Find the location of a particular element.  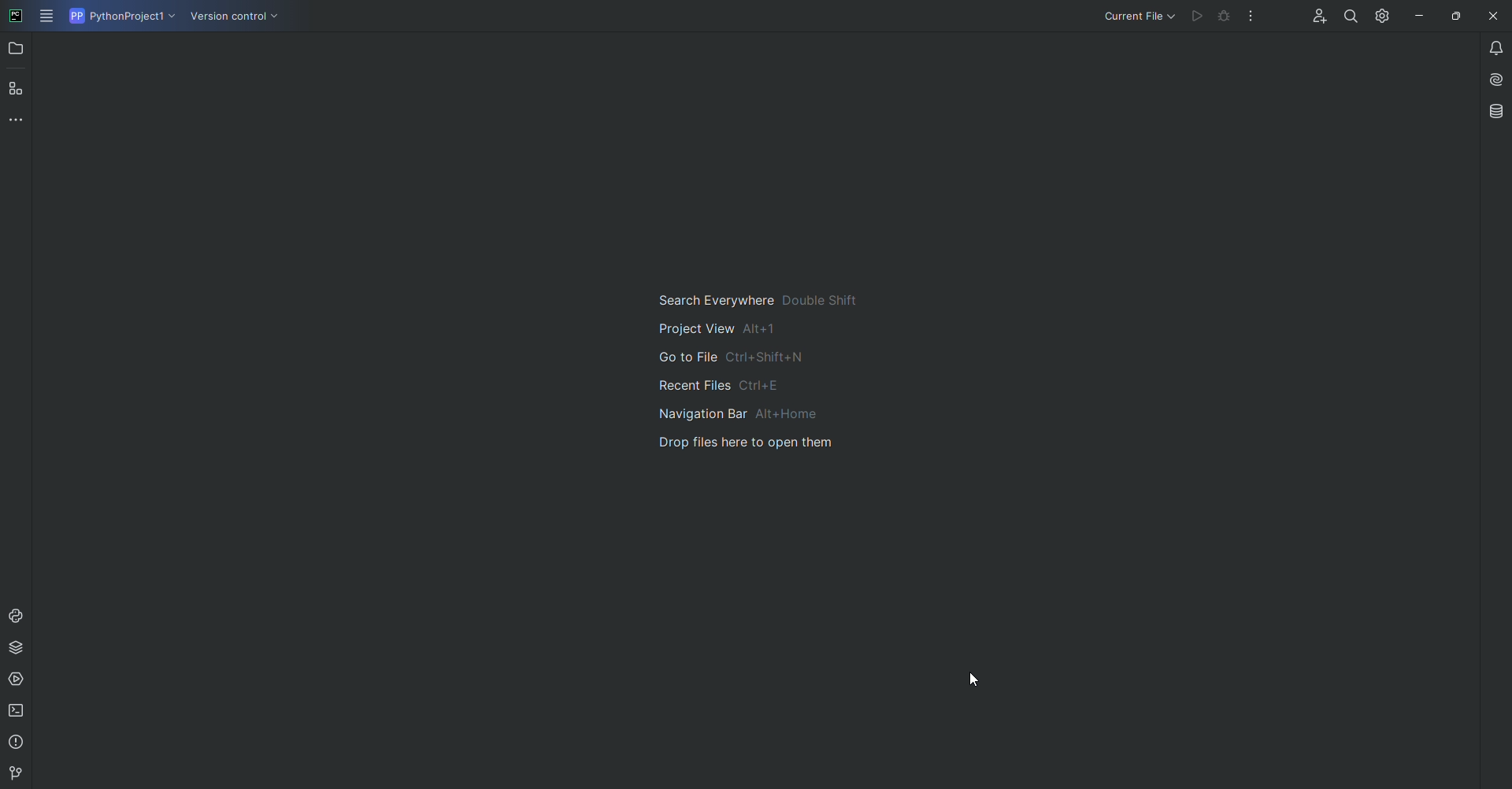

Main Menu is located at coordinates (48, 17).